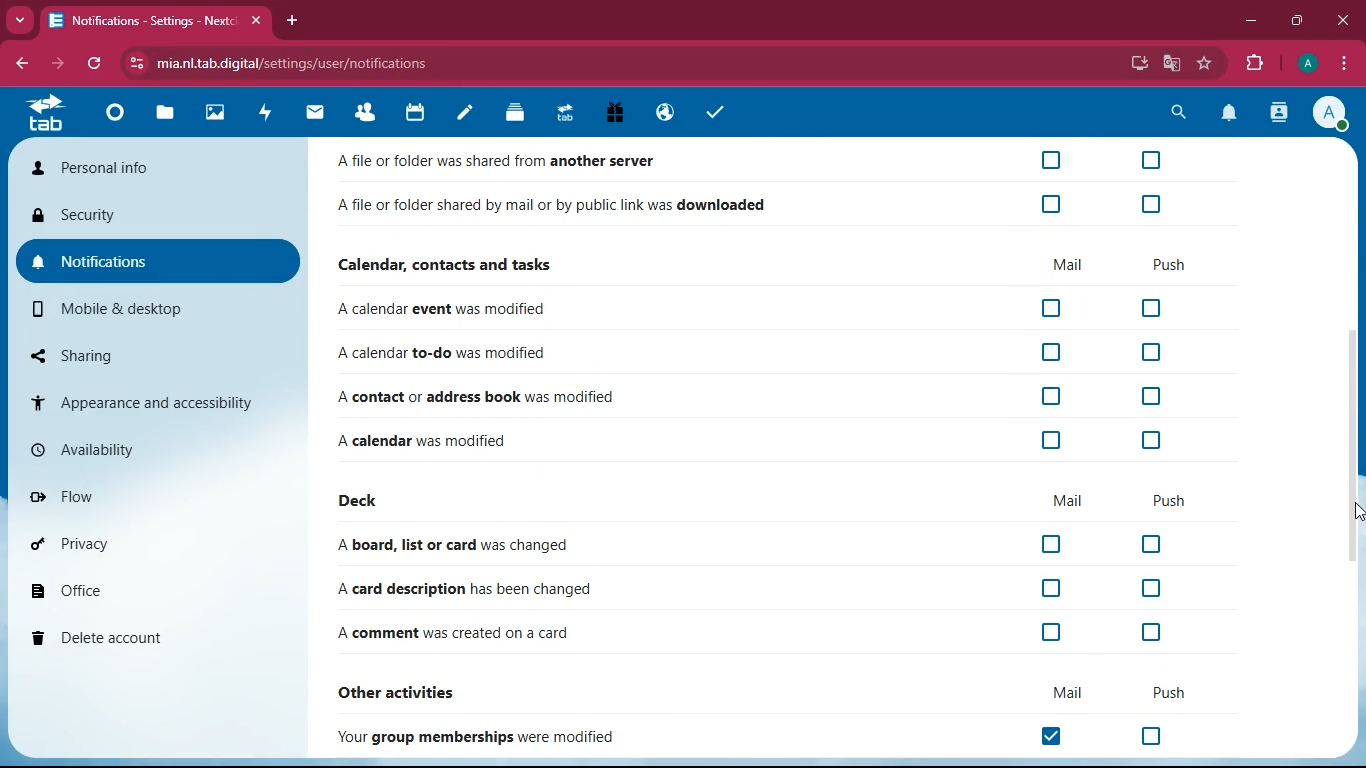 This screenshot has height=768, width=1366. What do you see at coordinates (1054, 693) in the screenshot?
I see `mail` at bounding box center [1054, 693].